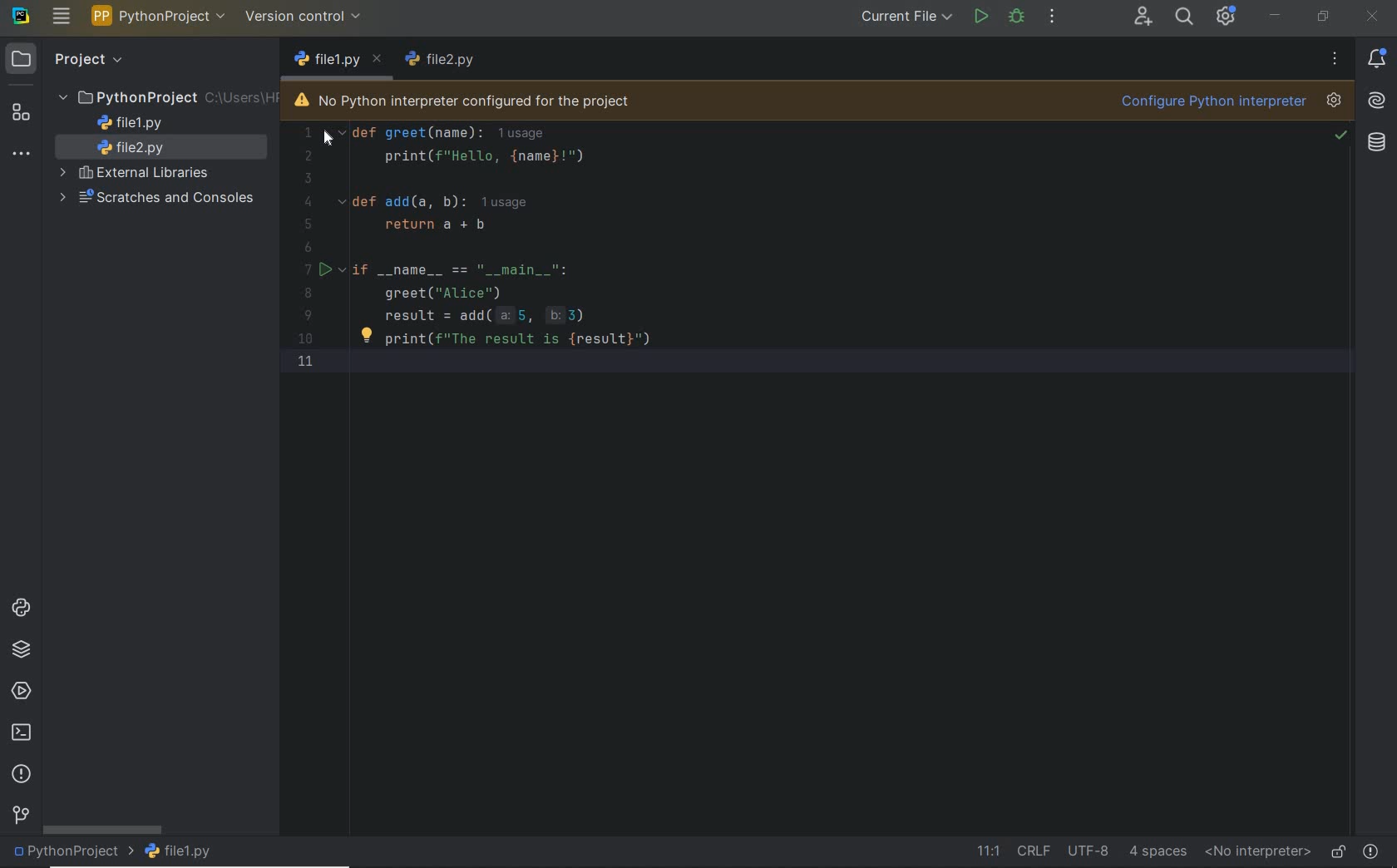 This screenshot has width=1397, height=868. Describe the element at coordinates (1157, 851) in the screenshot. I see `indent` at that location.